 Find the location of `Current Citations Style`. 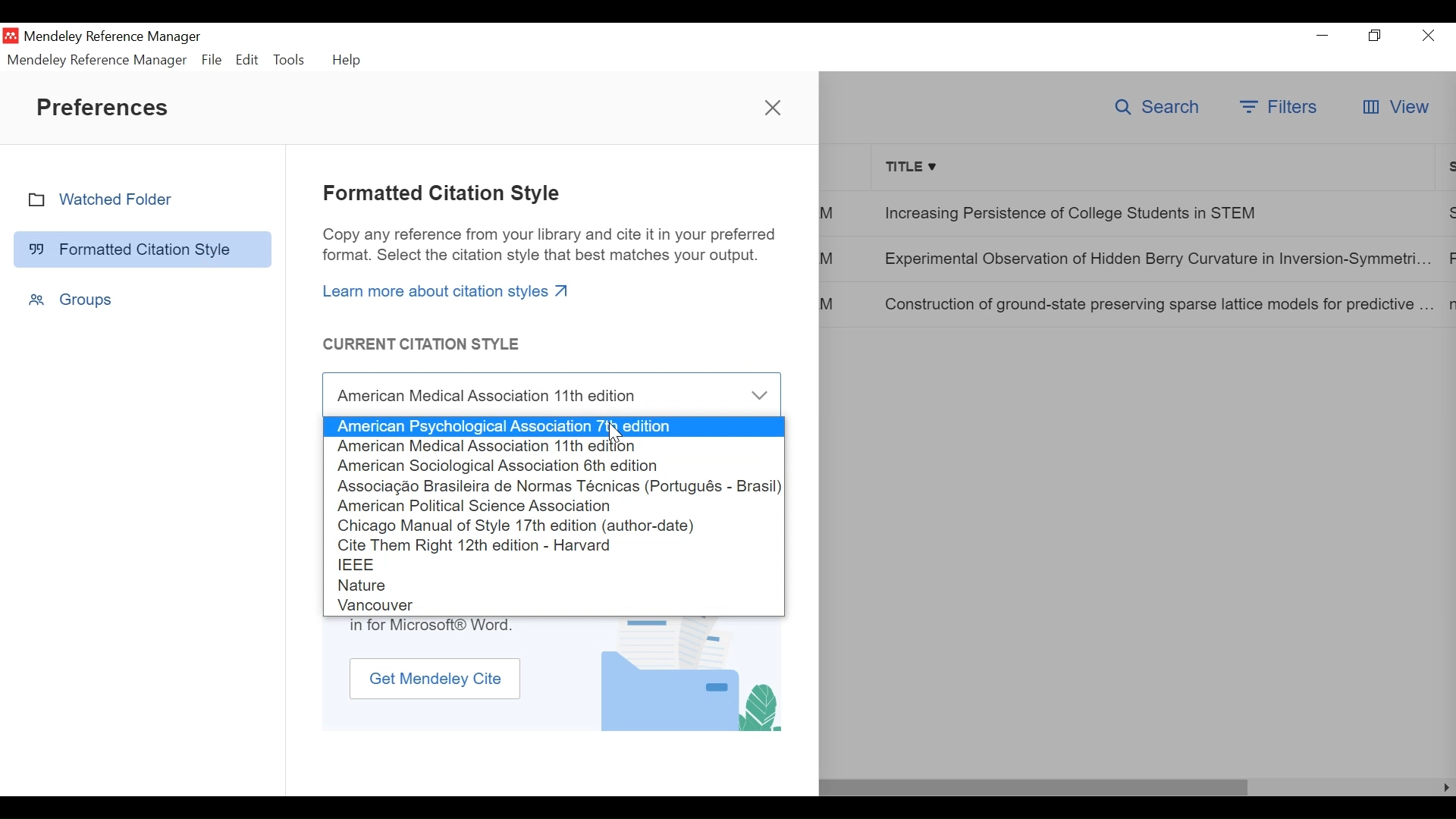

Current Citations Style is located at coordinates (425, 344).